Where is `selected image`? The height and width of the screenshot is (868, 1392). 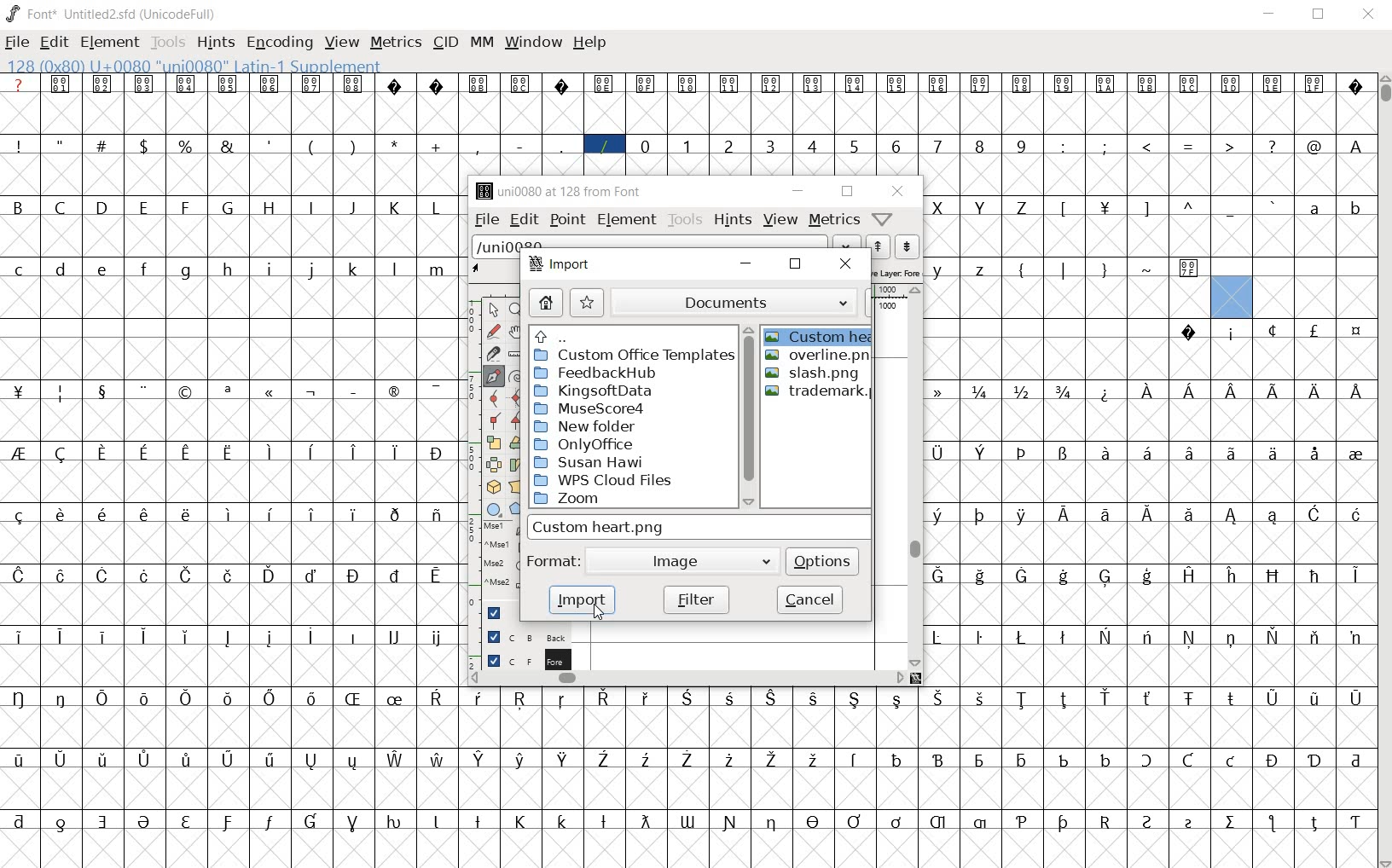 selected image is located at coordinates (818, 337).